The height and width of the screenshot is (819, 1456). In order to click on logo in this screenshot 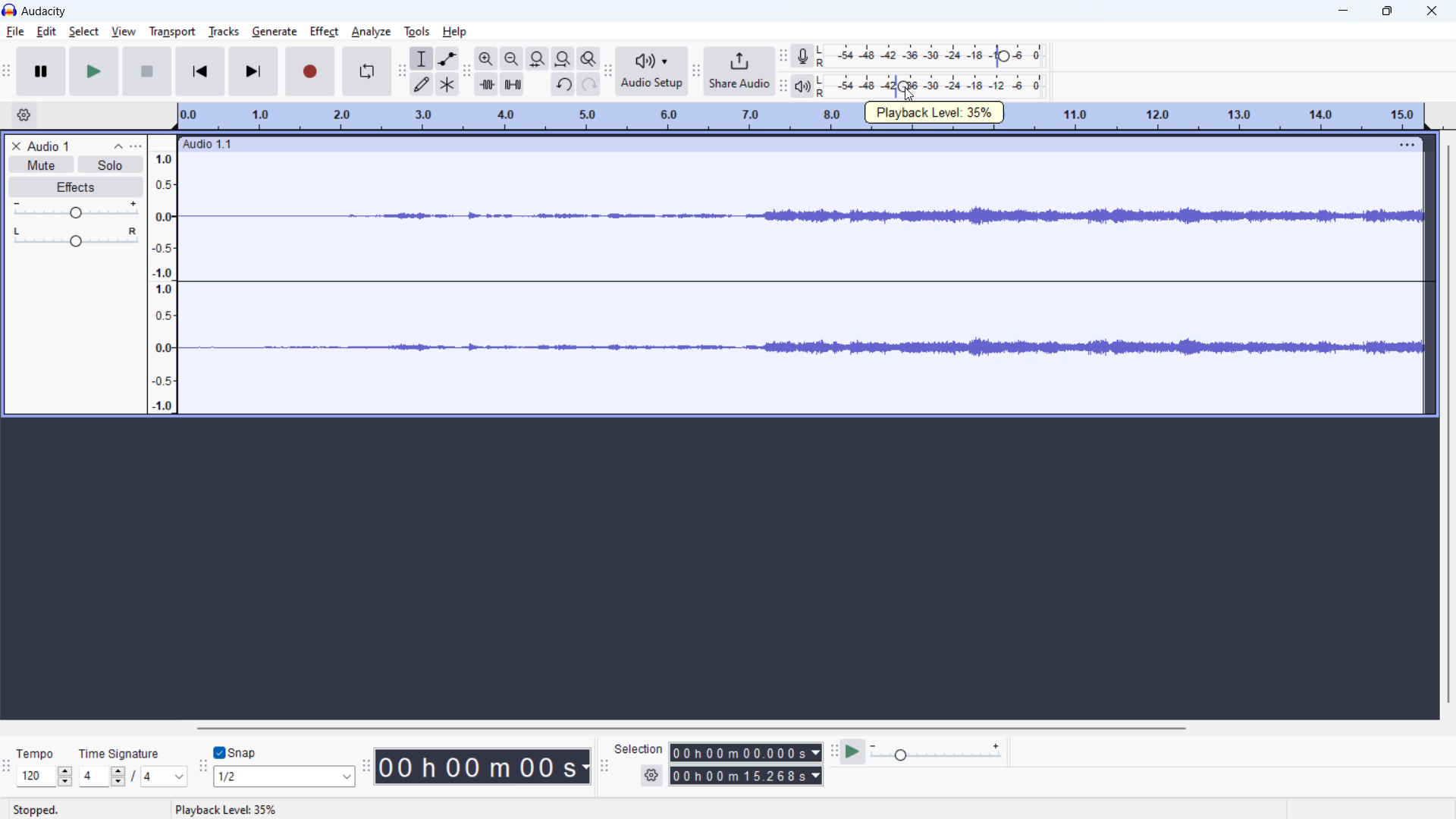, I will do `click(9, 10)`.